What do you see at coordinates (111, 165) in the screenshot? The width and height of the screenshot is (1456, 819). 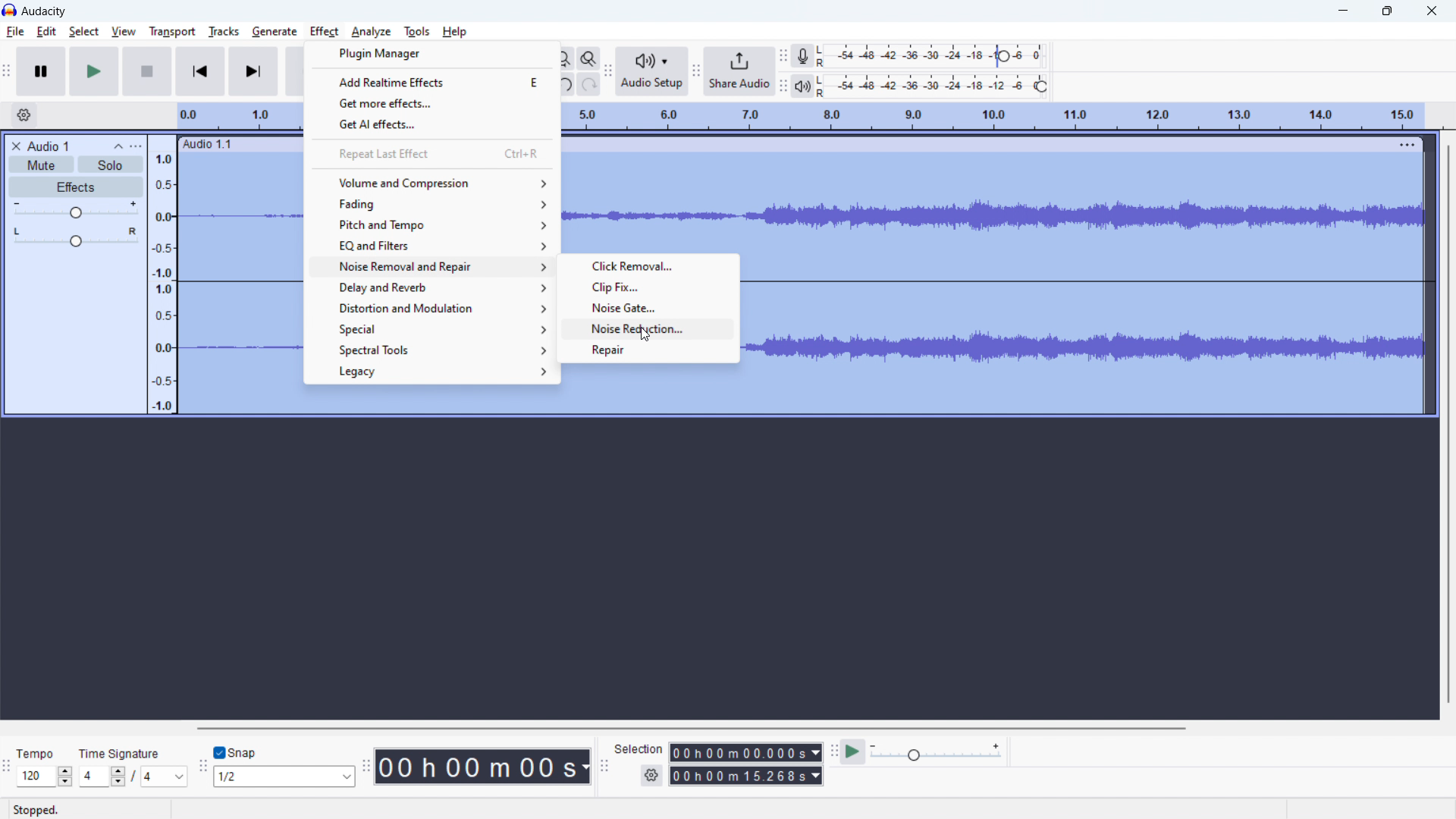 I see `solo` at bounding box center [111, 165].